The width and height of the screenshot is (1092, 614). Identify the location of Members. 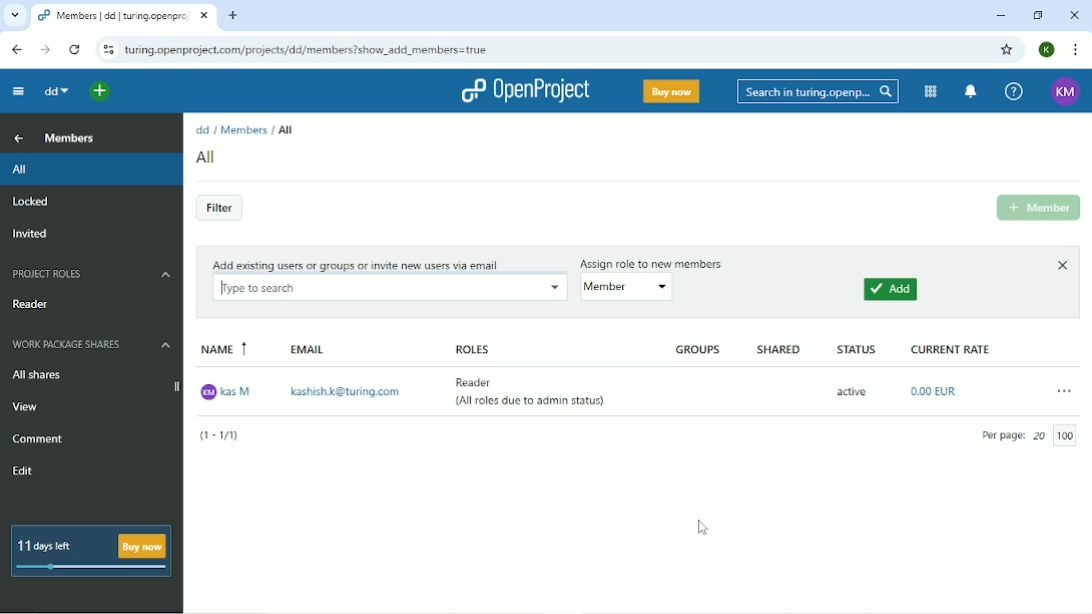
(244, 129).